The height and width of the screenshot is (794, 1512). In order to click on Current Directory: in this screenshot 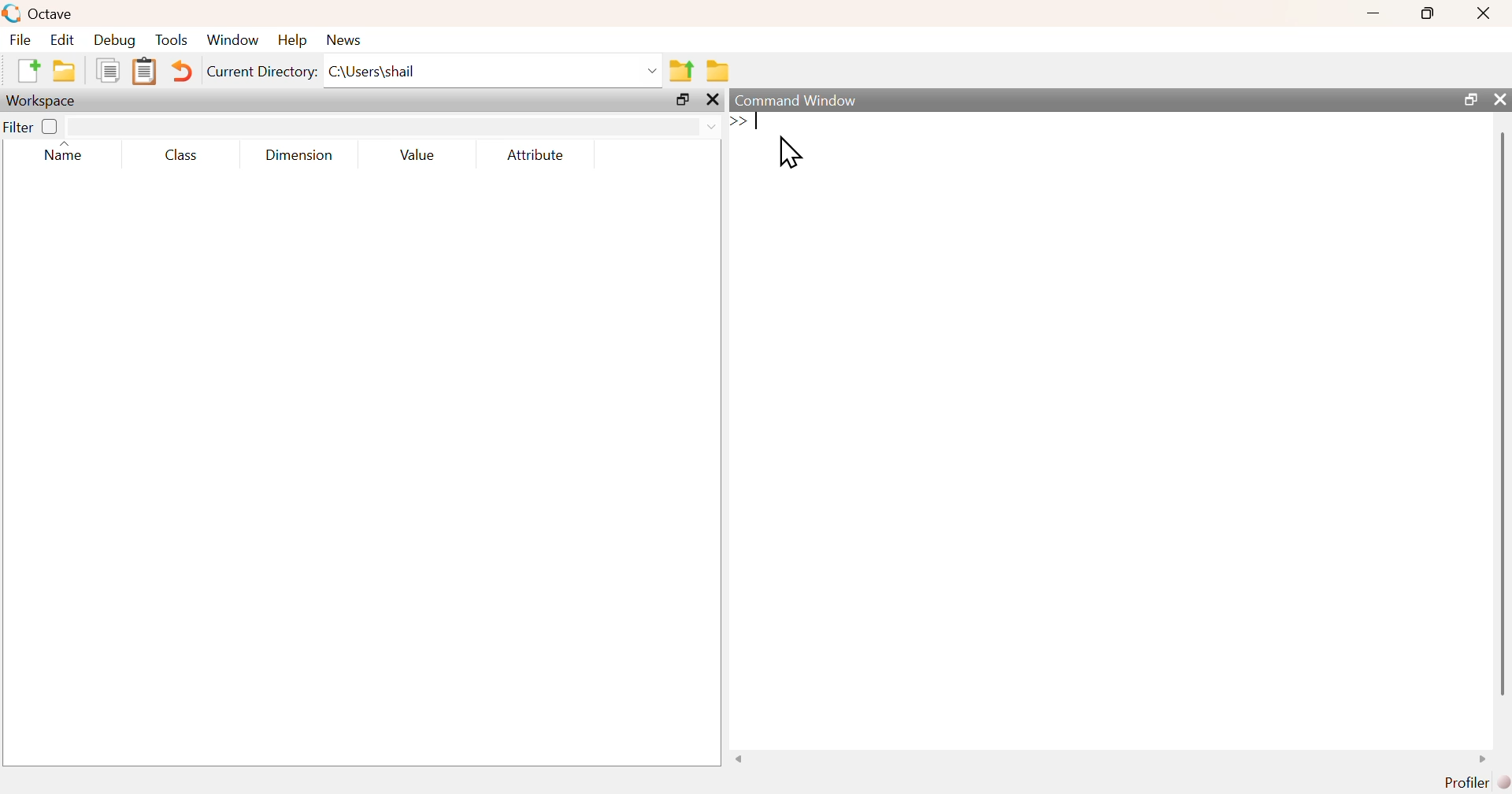, I will do `click(263, 72)`.